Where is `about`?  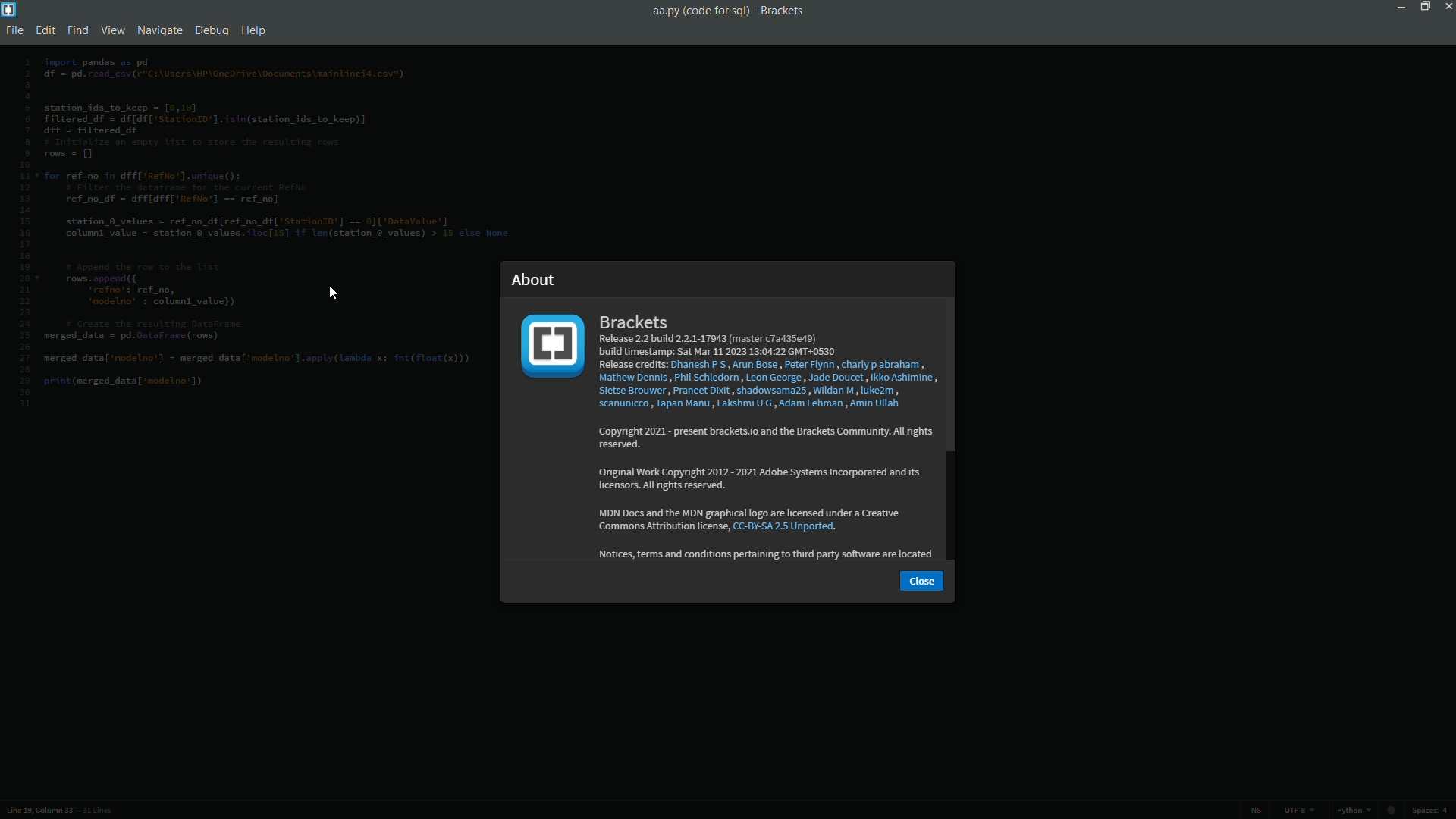
about is located at coordinates (533, 280).